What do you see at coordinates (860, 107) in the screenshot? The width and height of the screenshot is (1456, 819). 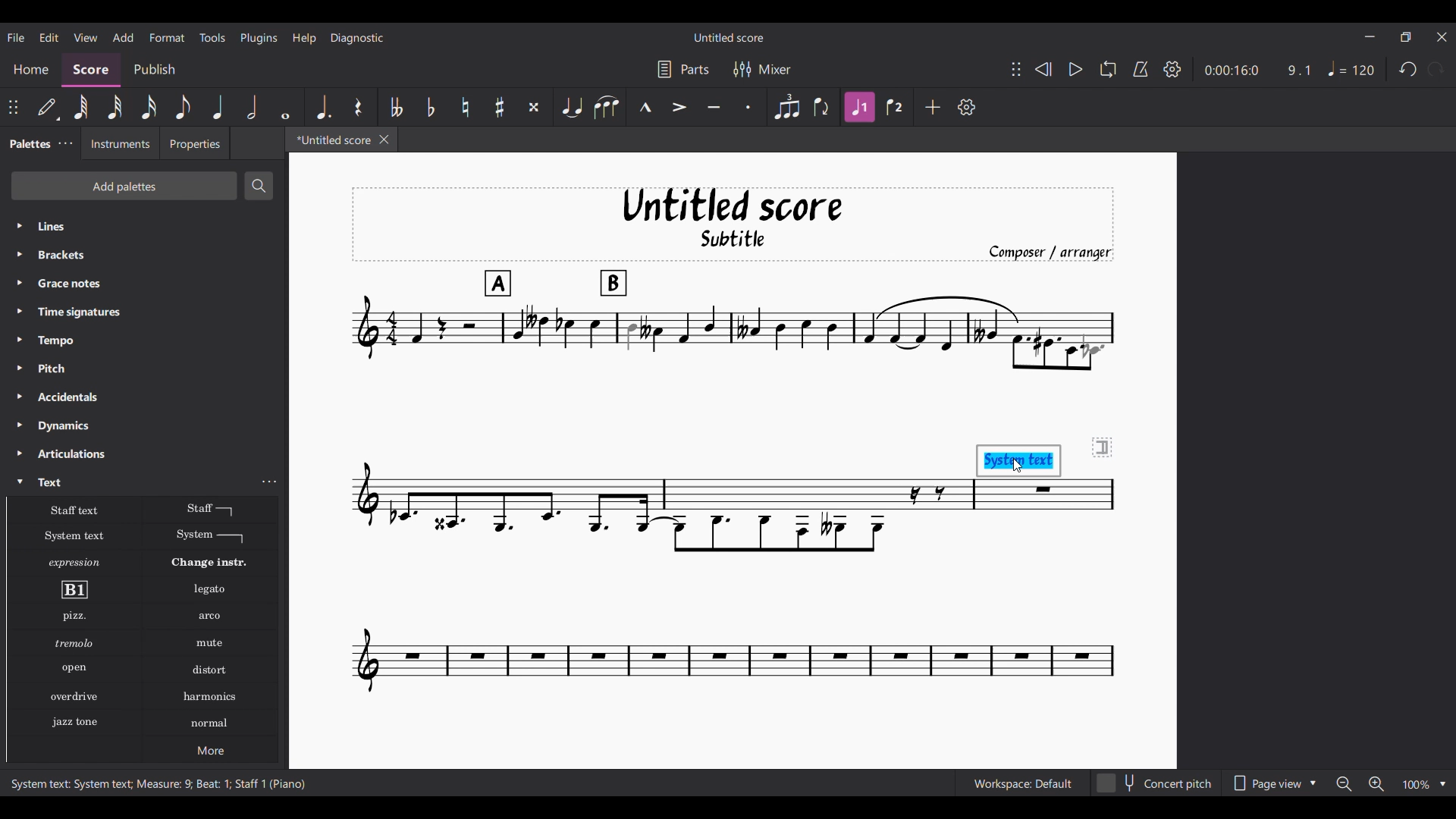 I see `Voice 1 highlighted after current selection` at bounding box center [860, 107].